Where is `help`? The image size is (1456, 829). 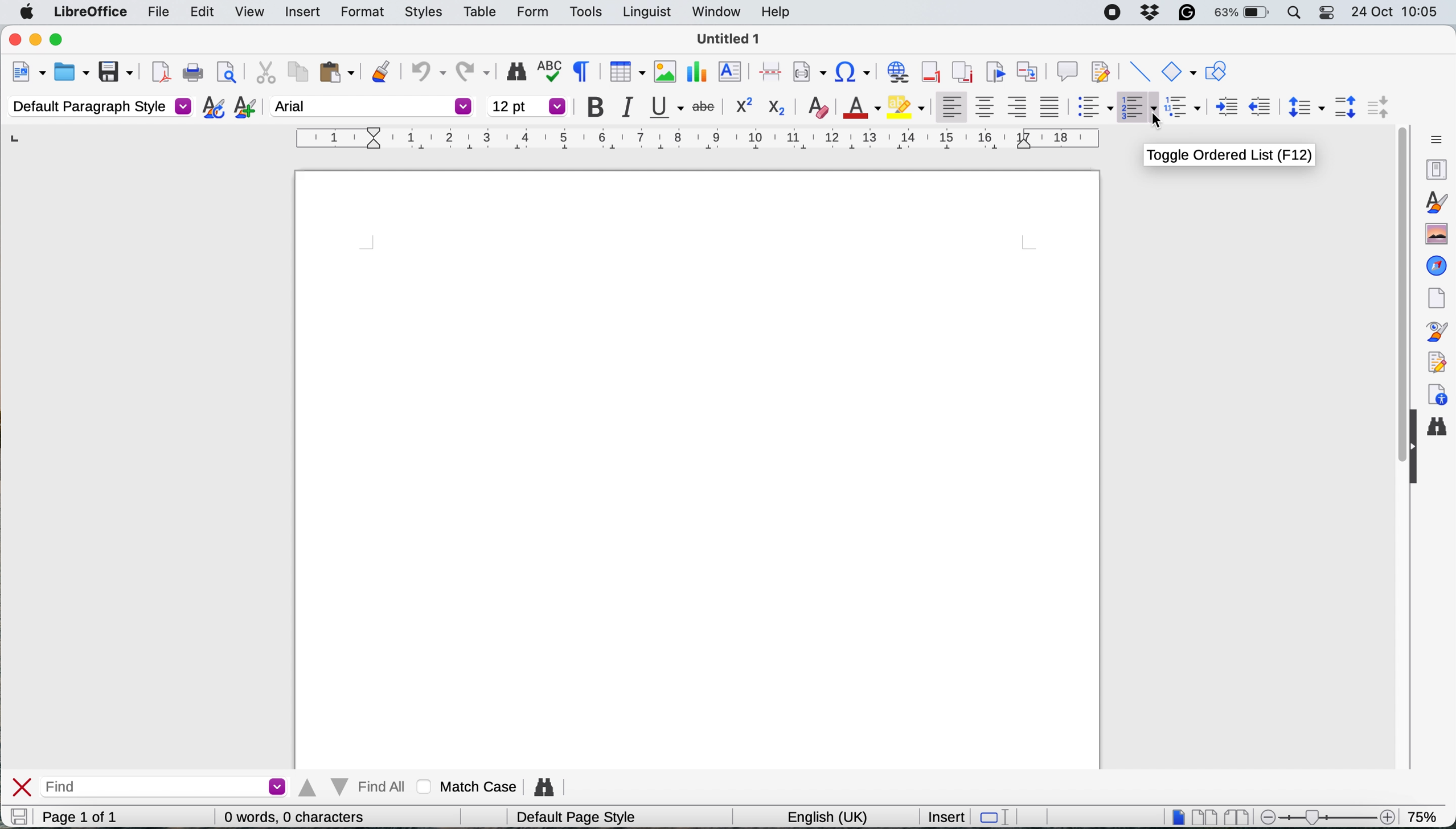
help is located at coordinates (777, 13).